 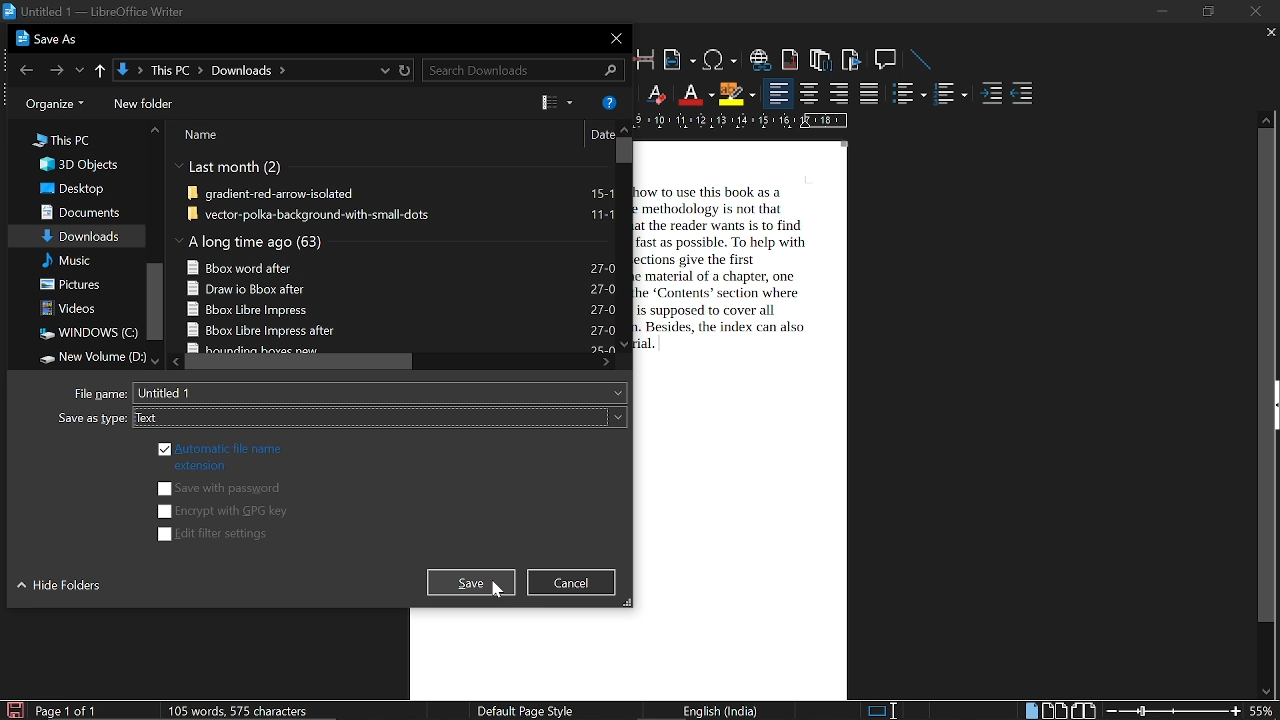 I want to click on insert page break, so click(x=646, y=59).